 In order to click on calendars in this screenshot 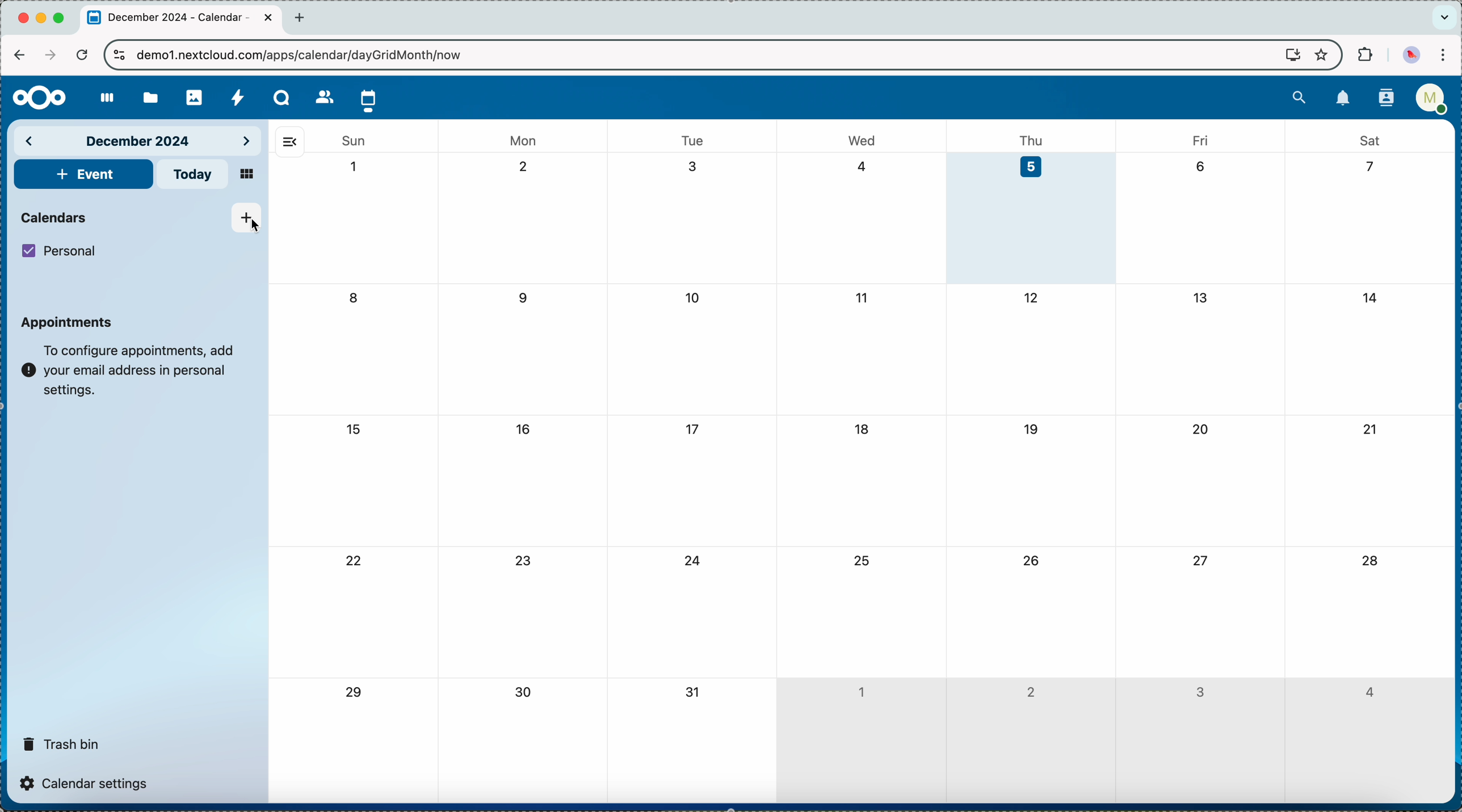, I will do `click(56, 216)`.